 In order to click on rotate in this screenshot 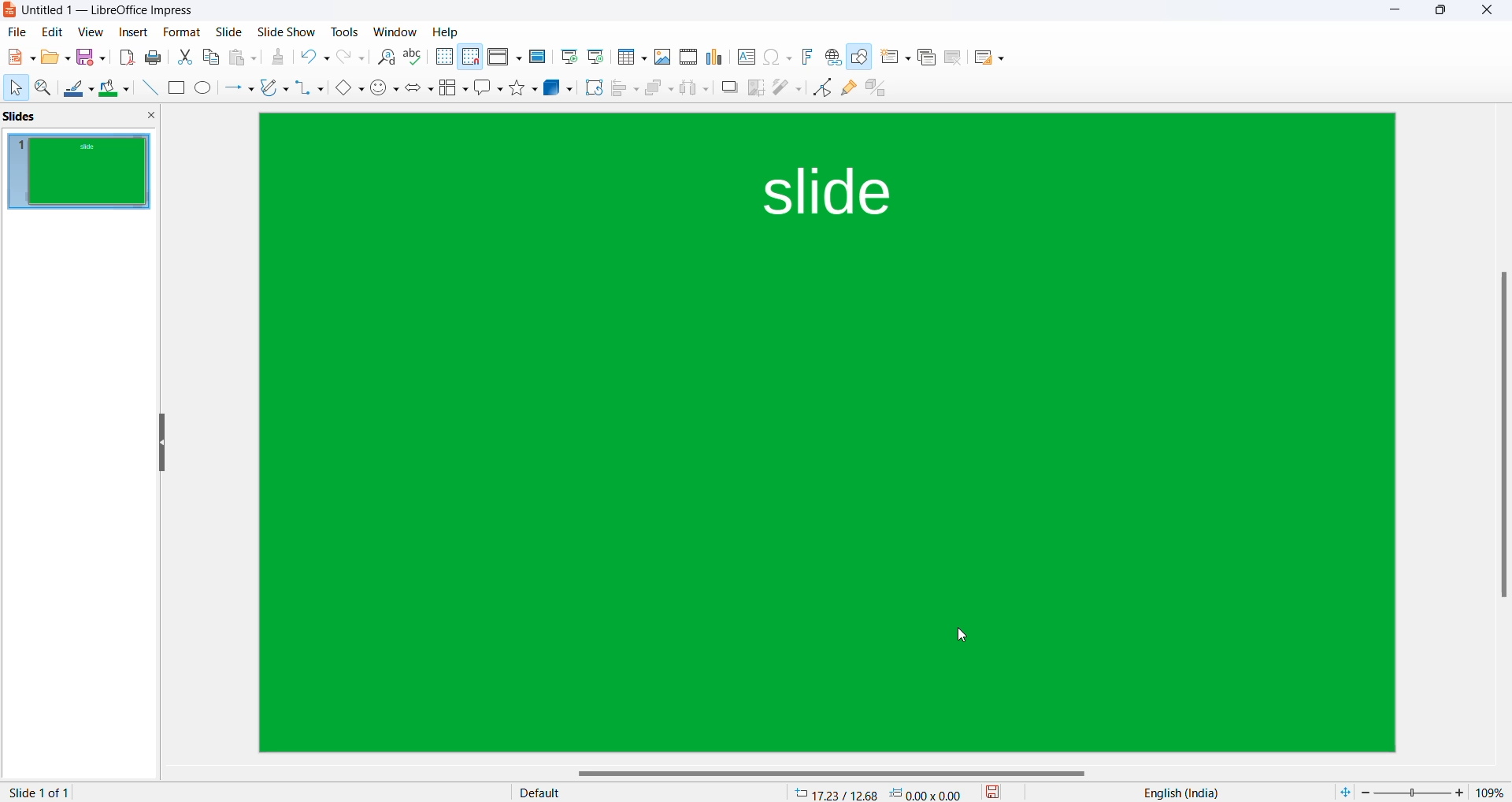, I will do `click(592, 87)`.